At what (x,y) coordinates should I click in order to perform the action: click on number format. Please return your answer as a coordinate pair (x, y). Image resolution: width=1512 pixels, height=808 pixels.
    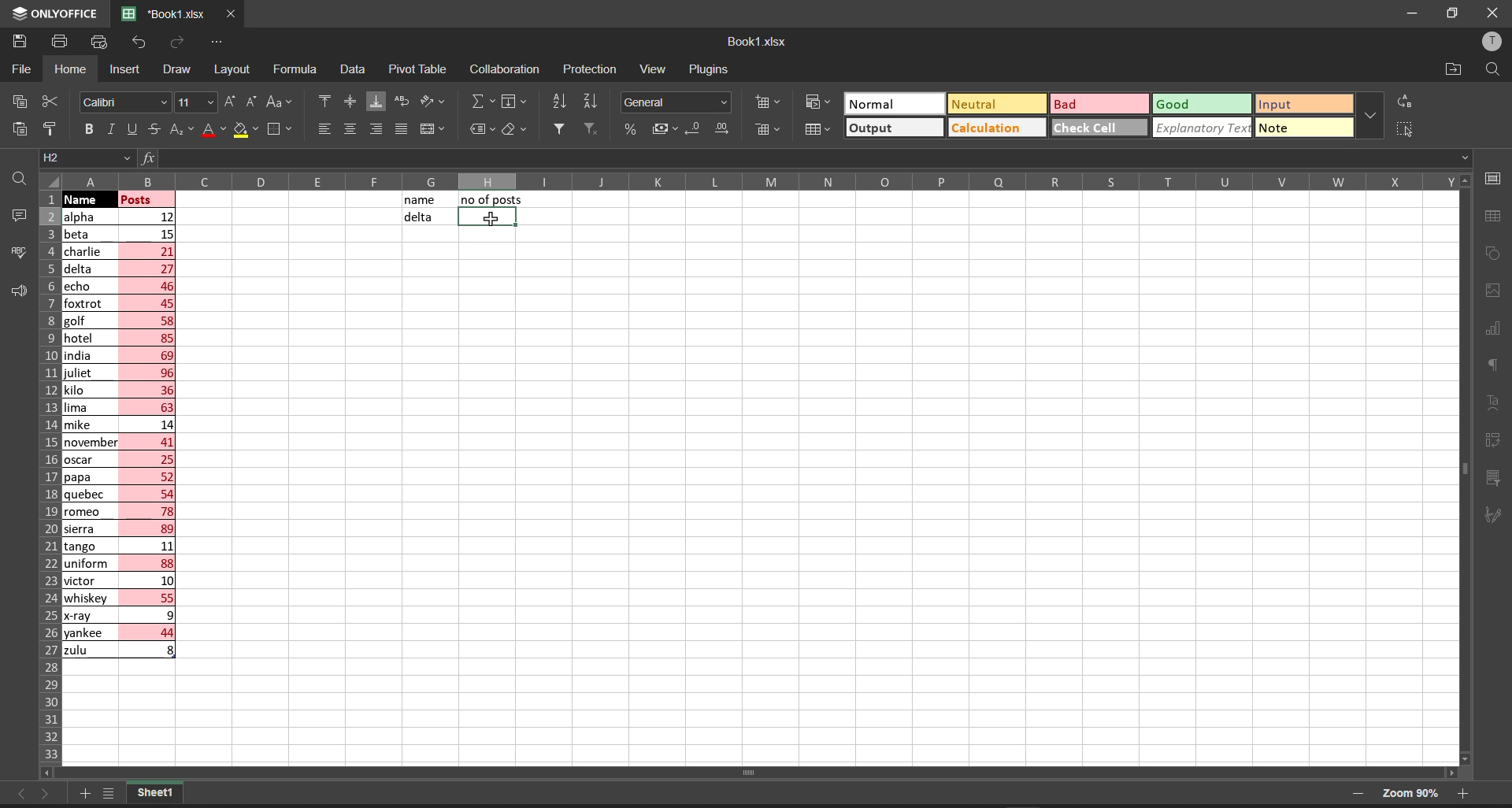
    Looking at the image, I should click on (676, 102).